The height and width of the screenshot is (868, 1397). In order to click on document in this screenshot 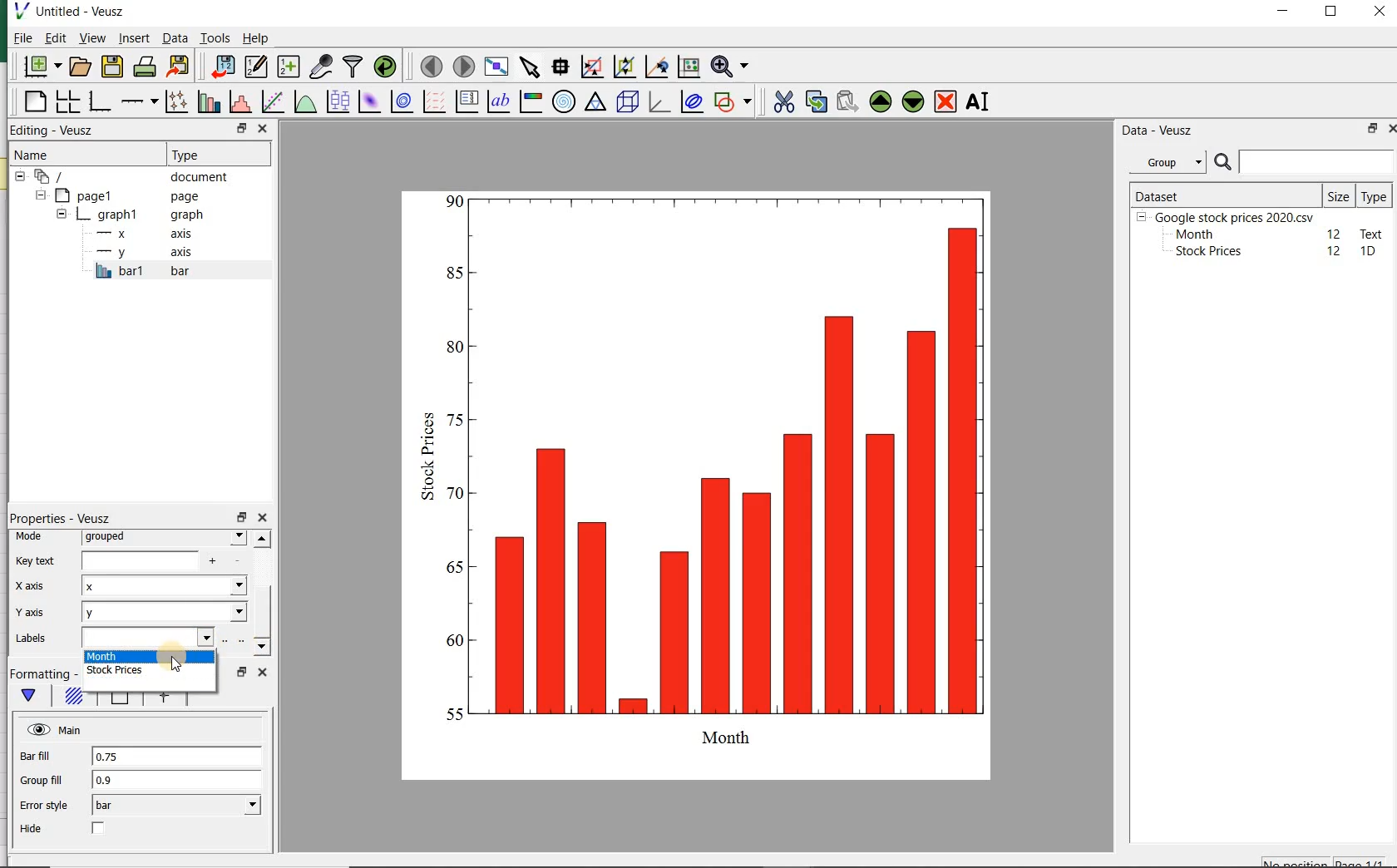, I will do `click(129, 177)`.